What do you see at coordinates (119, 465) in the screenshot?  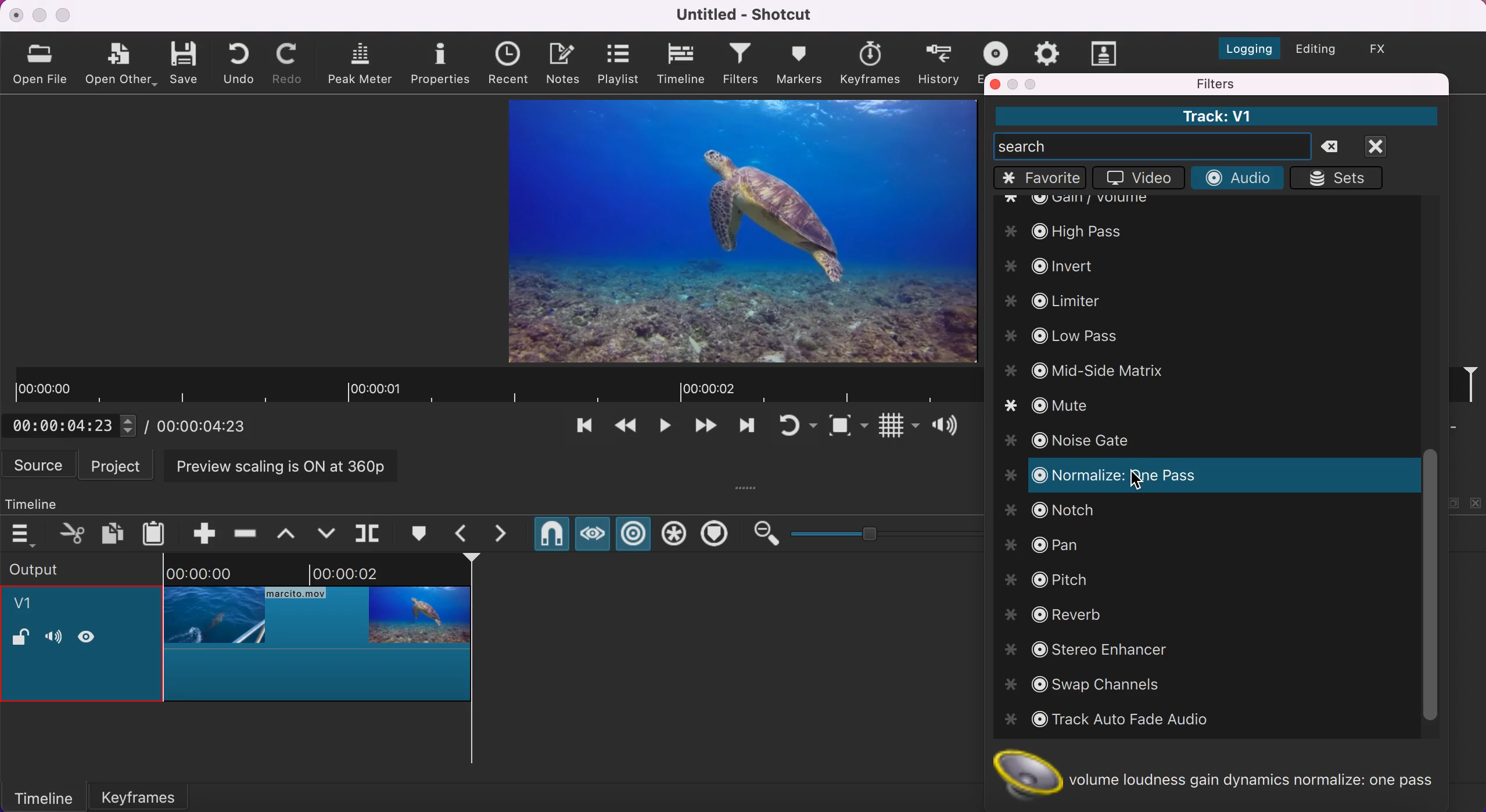 I see `project` at bounding box center [119, 465].